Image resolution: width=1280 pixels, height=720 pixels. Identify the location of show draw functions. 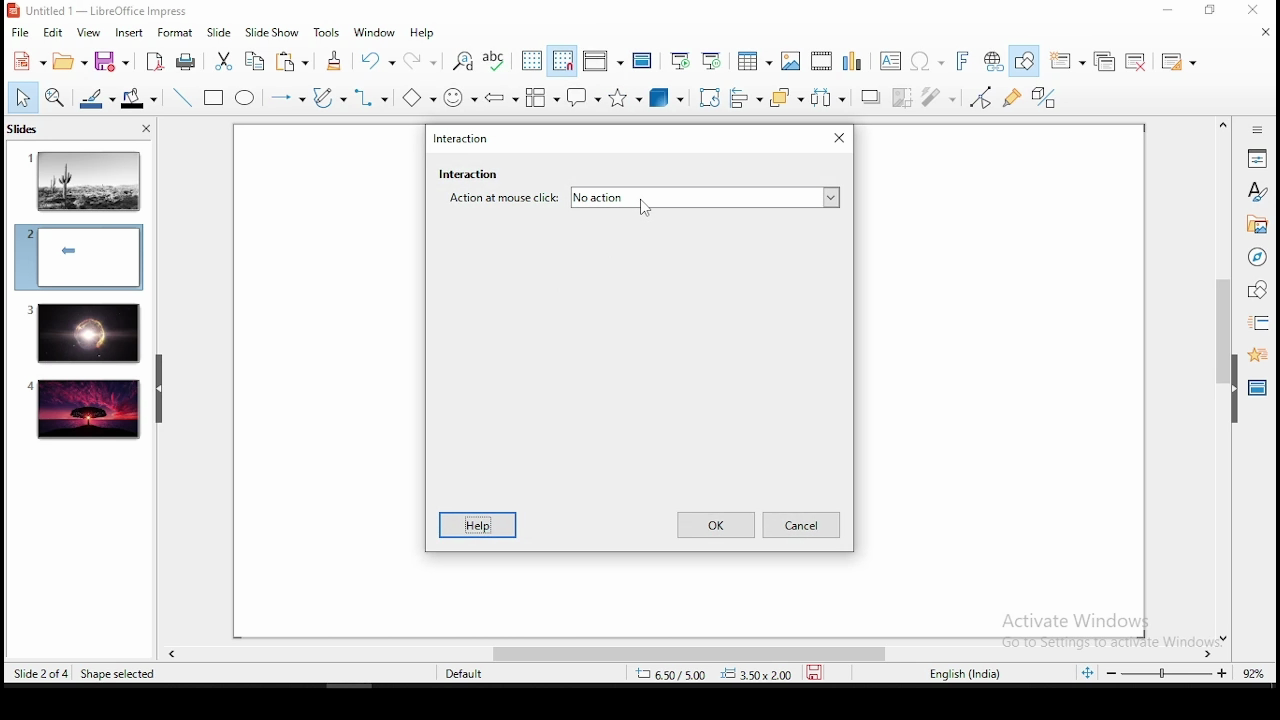
(1026, 61).